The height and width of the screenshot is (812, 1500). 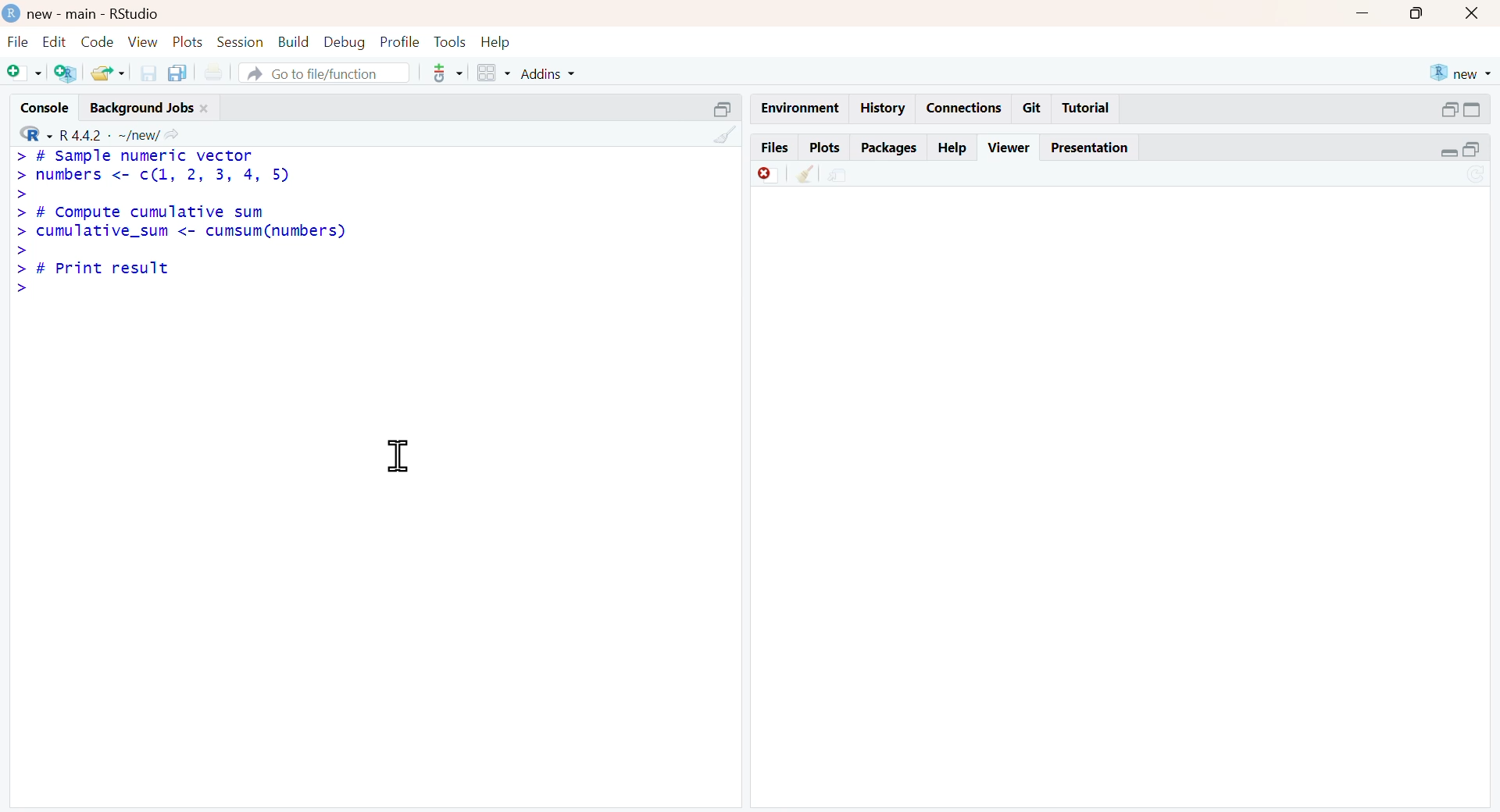 What do you see at coordinates (108, 73) in the screenshot?
I see `share folder as` at bounding box center [108, 73].